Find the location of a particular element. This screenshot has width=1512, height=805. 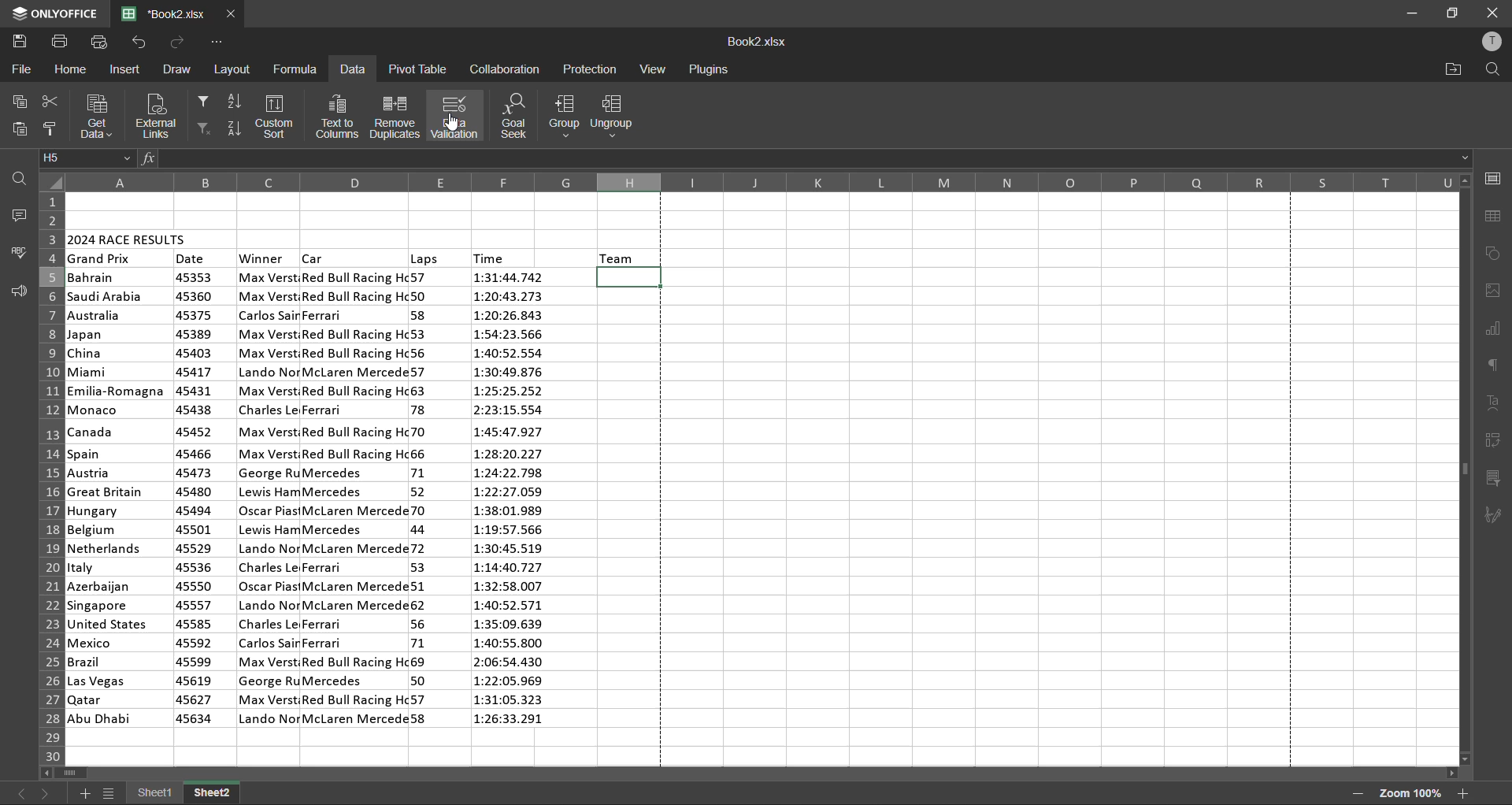

file is located at coordinates (19, 69).